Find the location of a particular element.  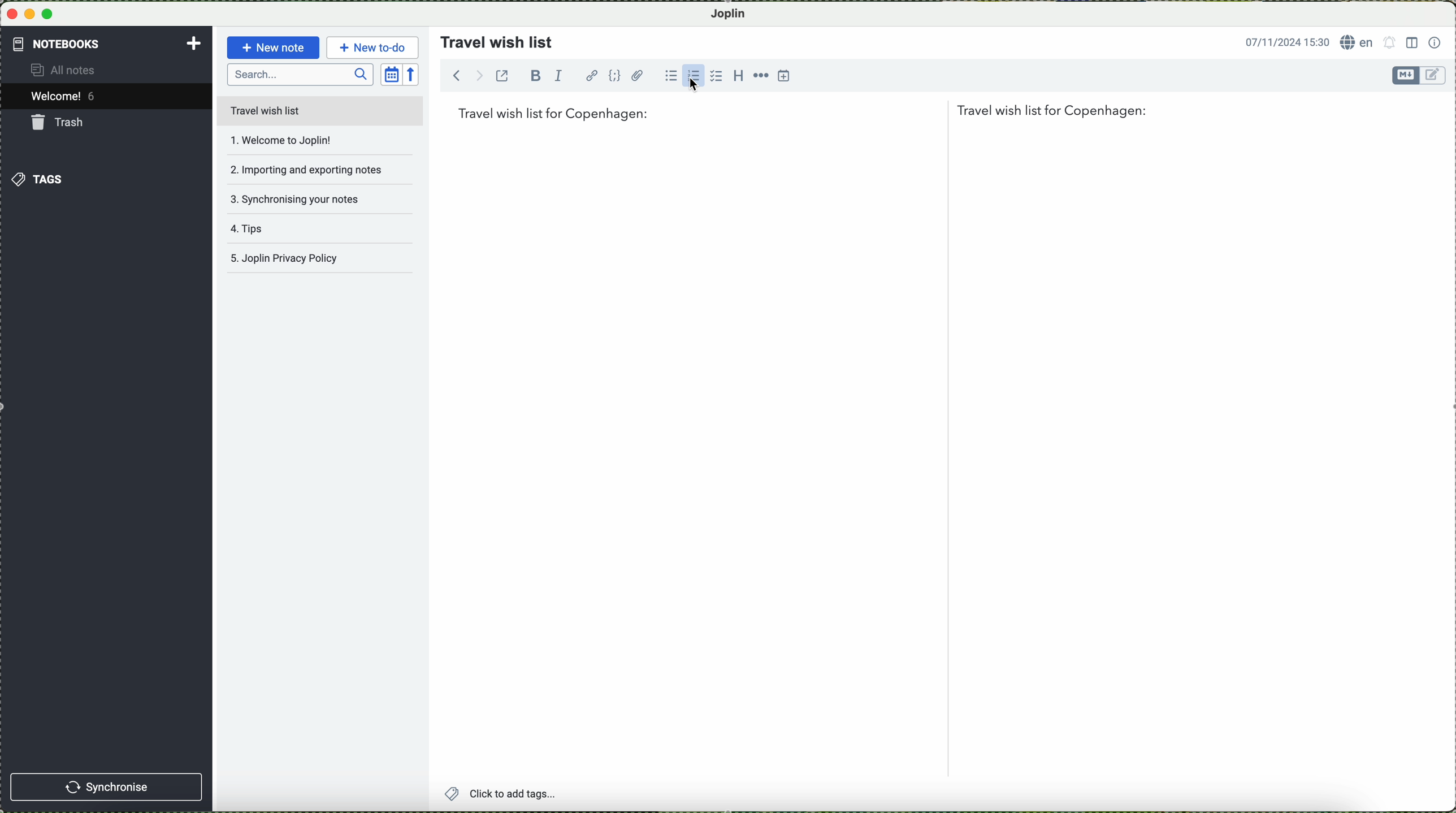

maximize is located at coordinates (50, 14).